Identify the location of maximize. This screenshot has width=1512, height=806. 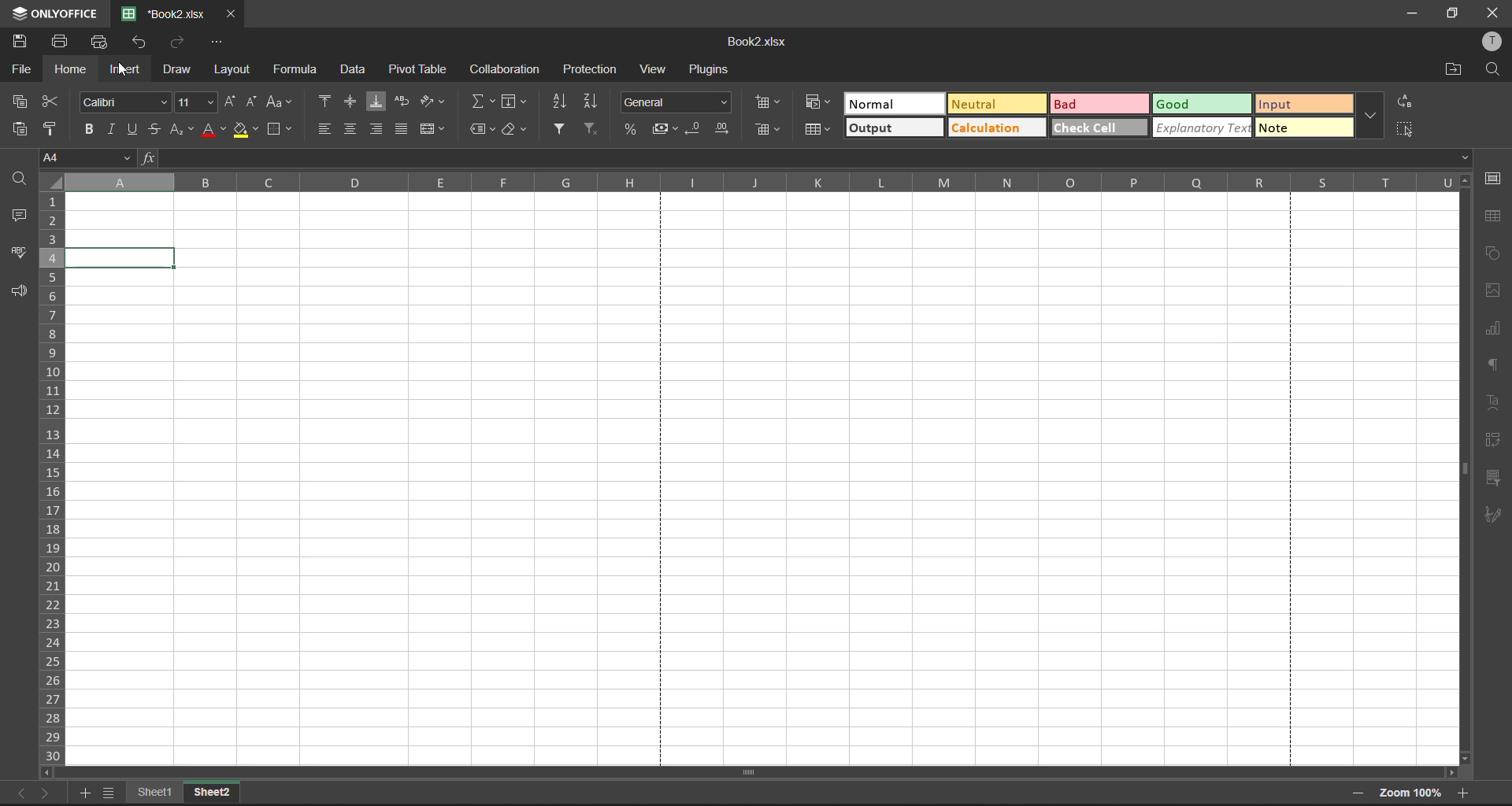
(1455, 15).